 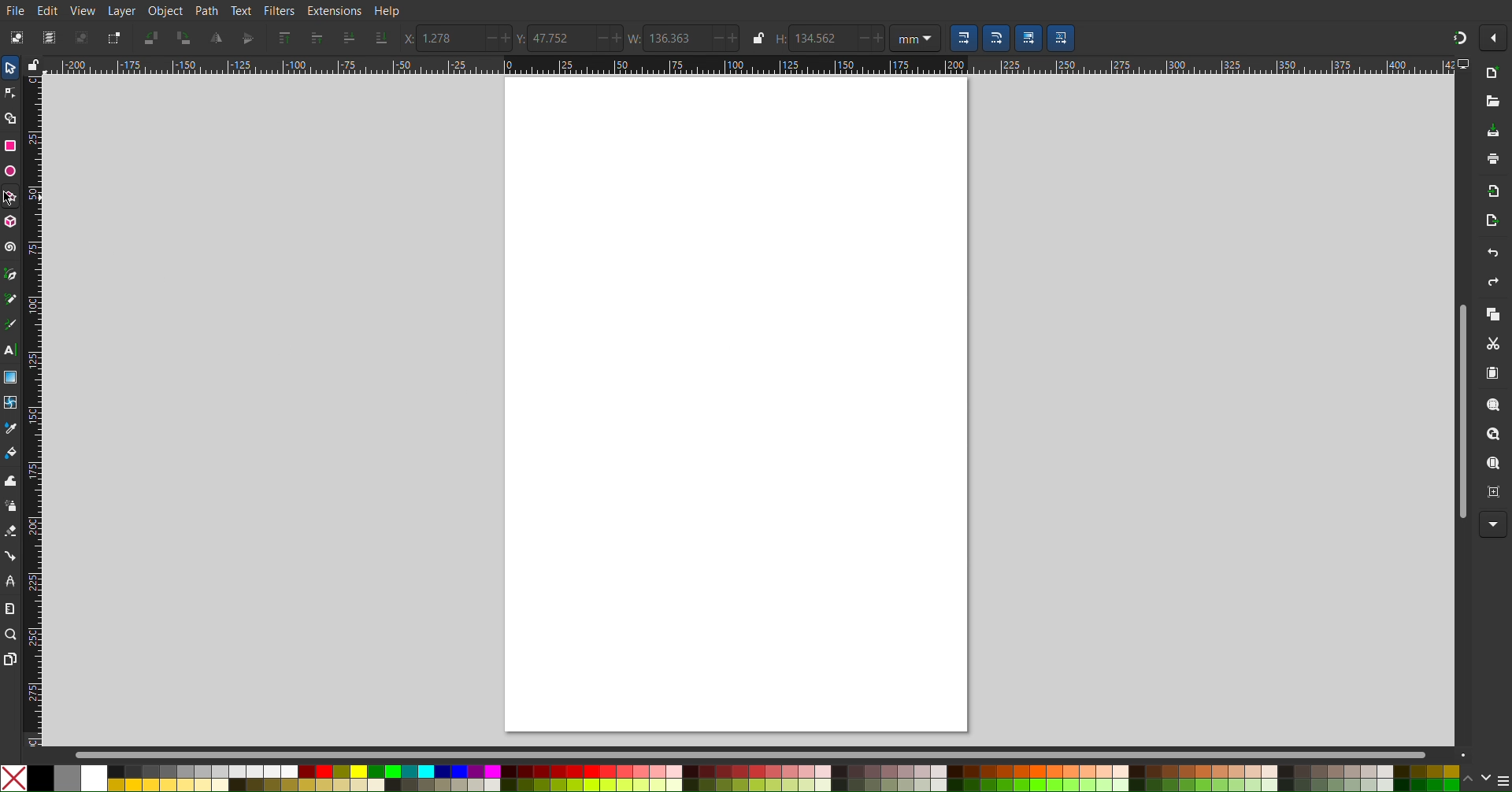 What do you see at coordinates (562, 39) in the screenshot?
I see `47` at bounding box center [562, 39].